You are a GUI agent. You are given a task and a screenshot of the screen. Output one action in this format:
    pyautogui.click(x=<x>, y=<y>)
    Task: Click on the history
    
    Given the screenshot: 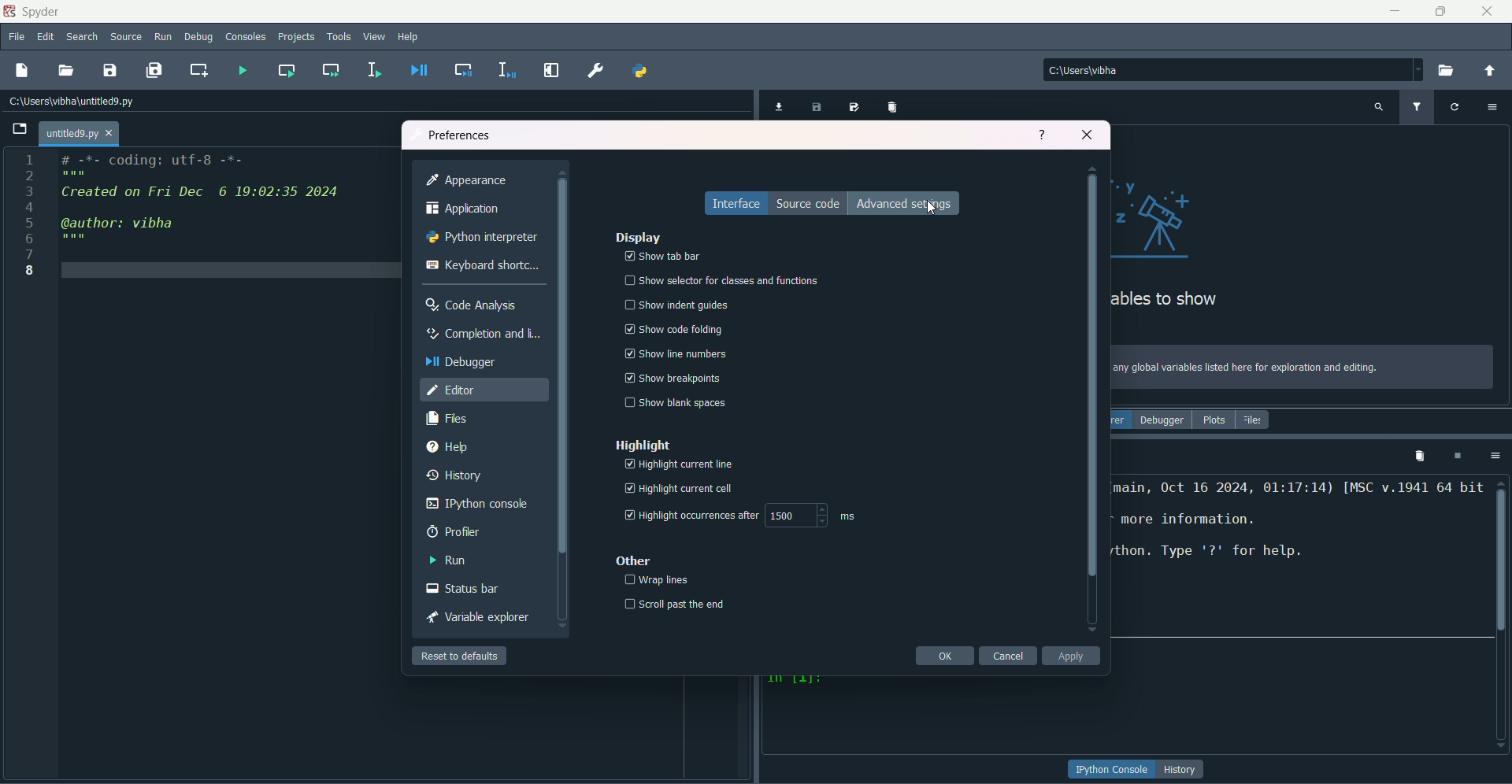 What is the action you would take?
    pyautogui.click(x=451, y=477)
    